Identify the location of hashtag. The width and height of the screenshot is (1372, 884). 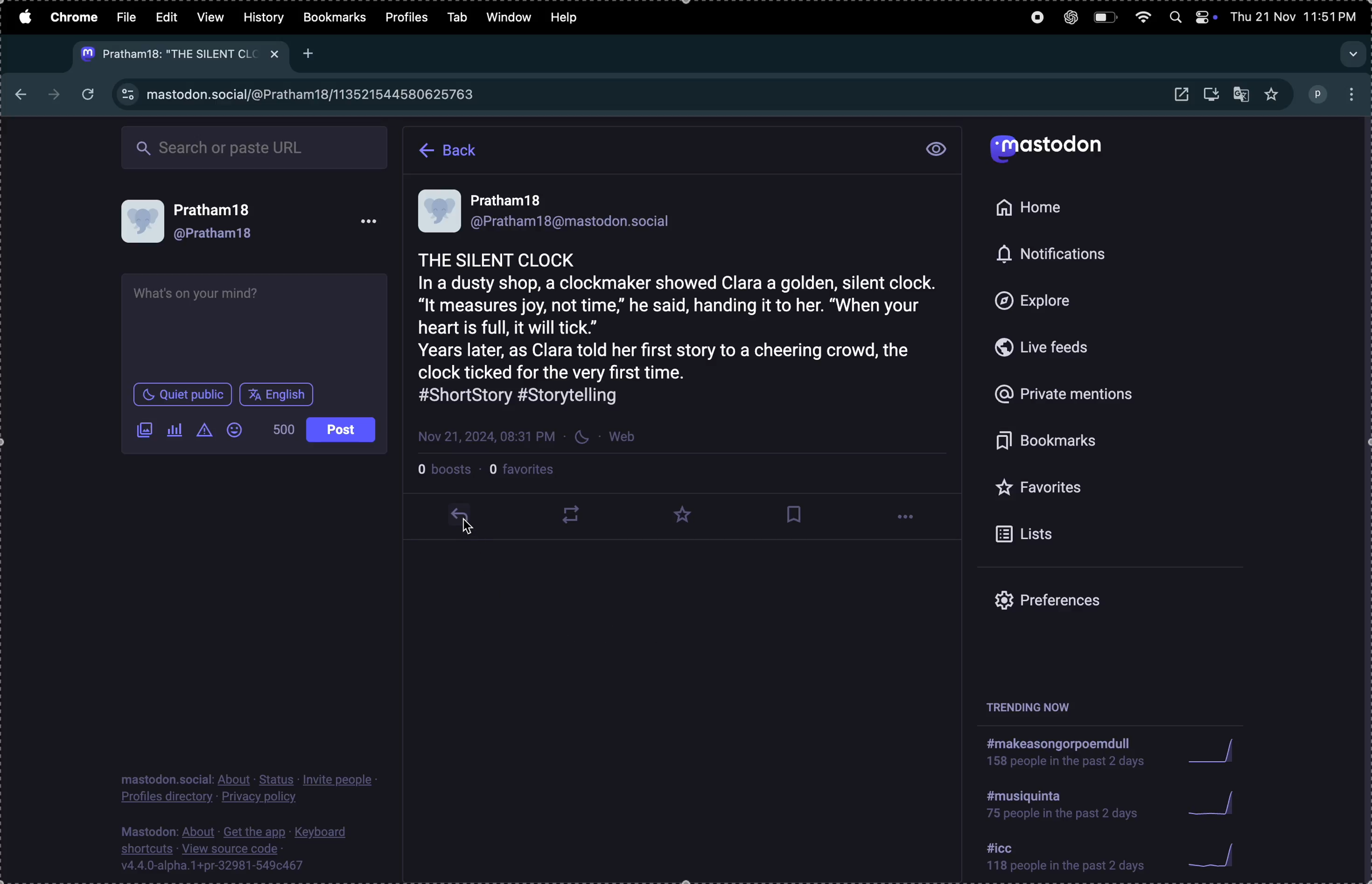
(1066, 750).